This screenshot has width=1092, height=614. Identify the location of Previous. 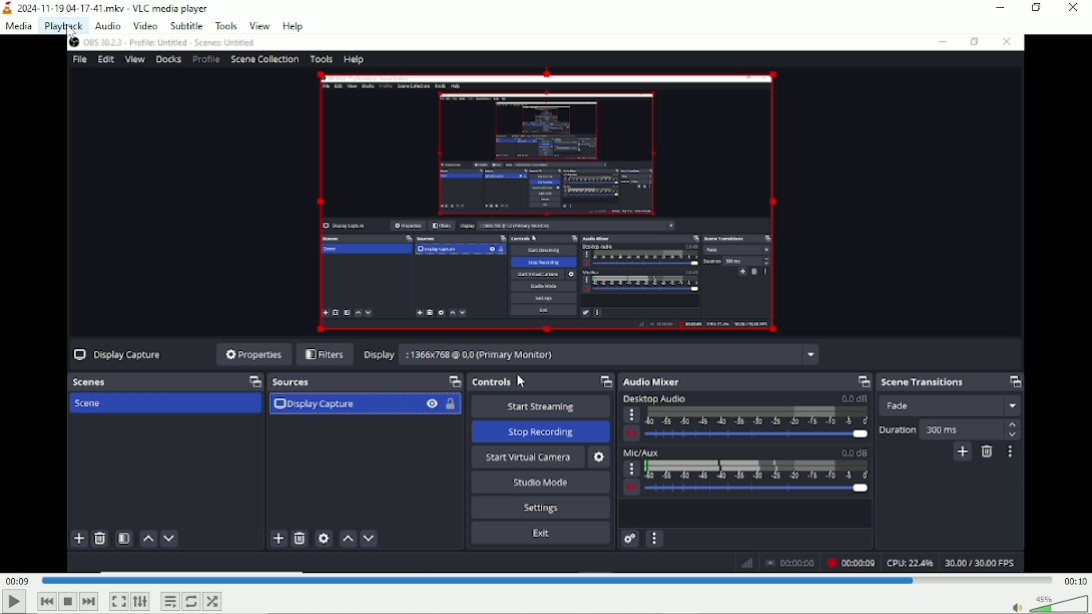
(47, 601).